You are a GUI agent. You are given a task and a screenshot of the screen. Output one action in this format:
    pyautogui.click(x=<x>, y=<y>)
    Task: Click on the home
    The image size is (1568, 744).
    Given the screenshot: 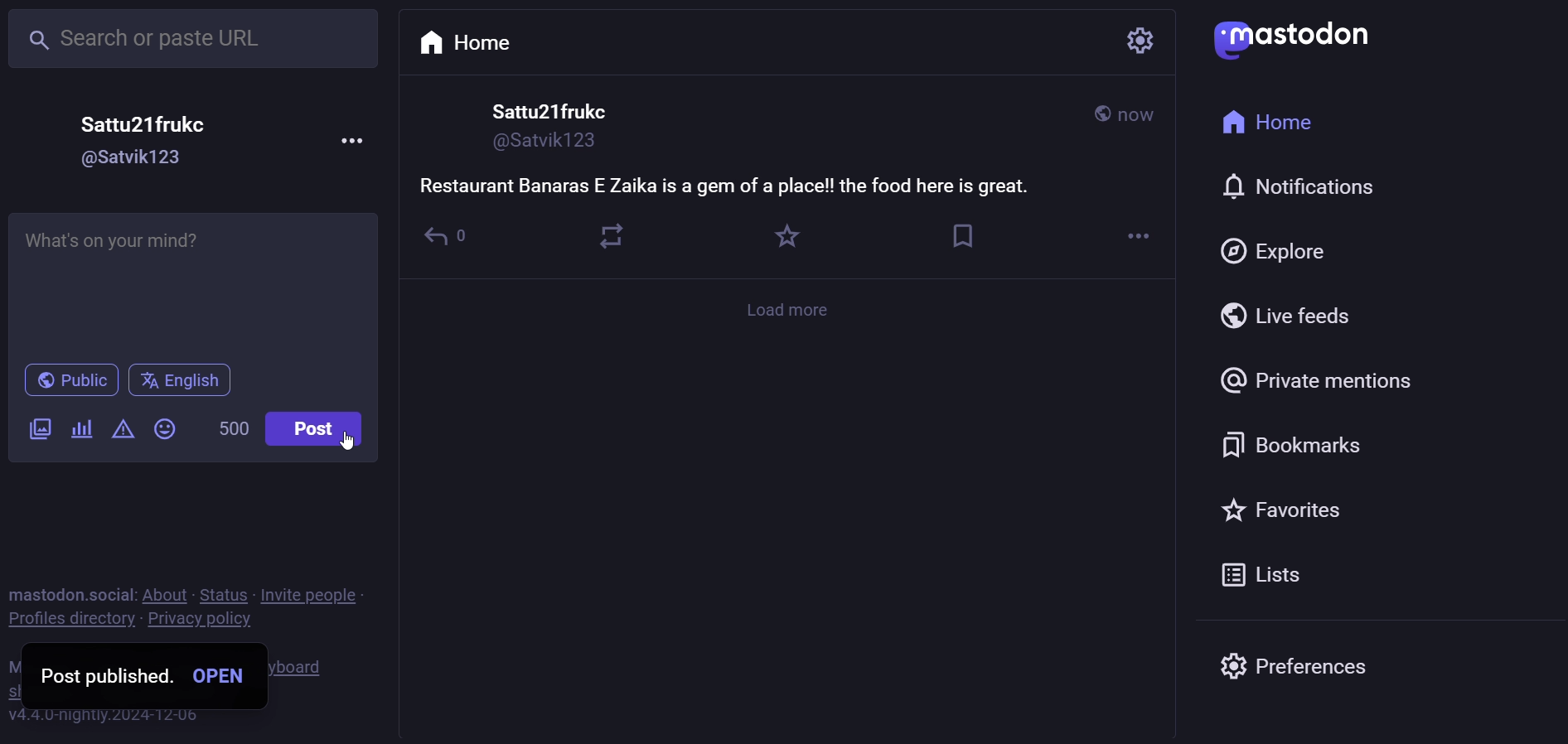 What is the action you would take?
    pyautogui.click(x=1267, y=124)
    